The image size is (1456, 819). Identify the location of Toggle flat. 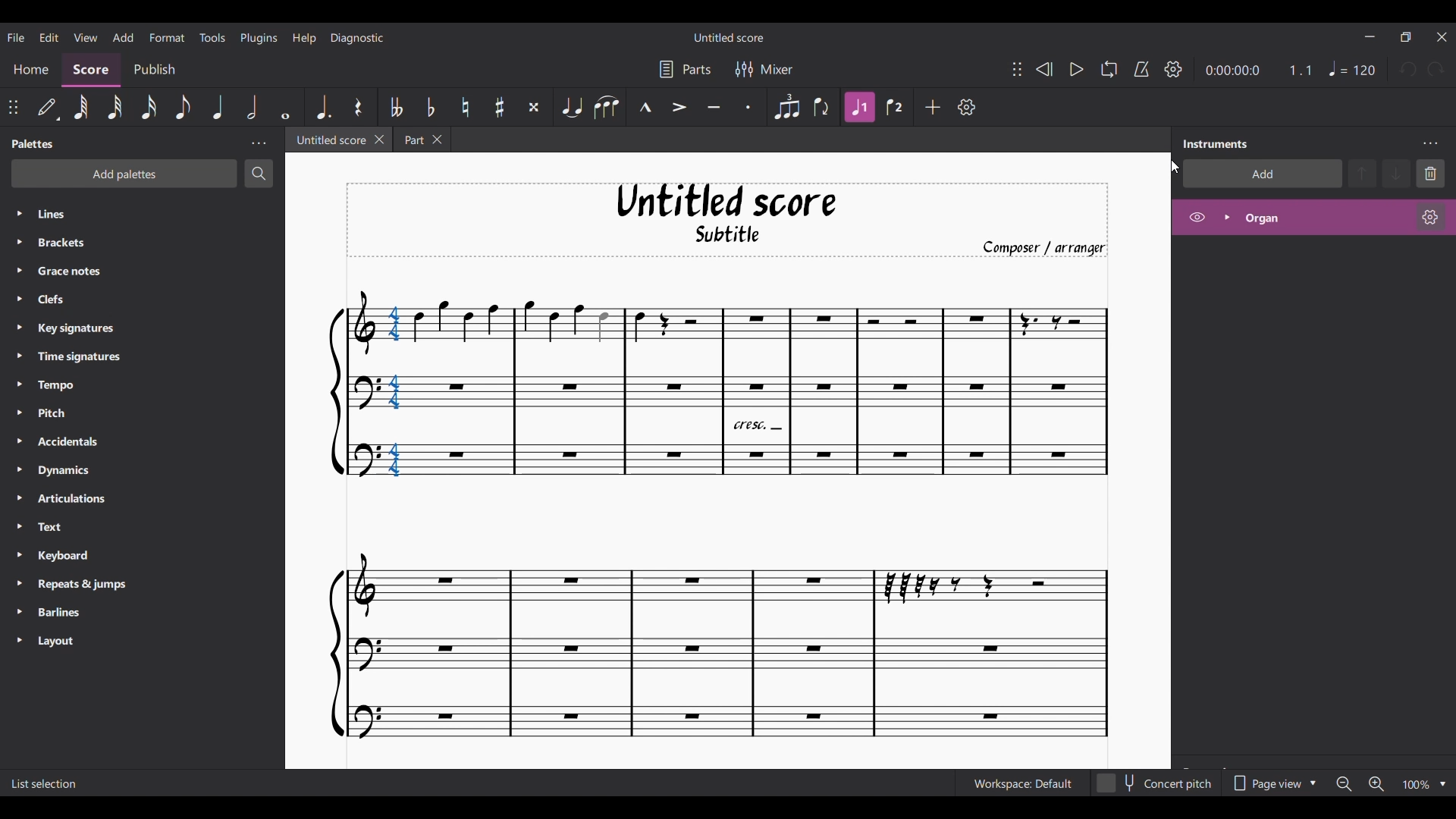
(431, 106).